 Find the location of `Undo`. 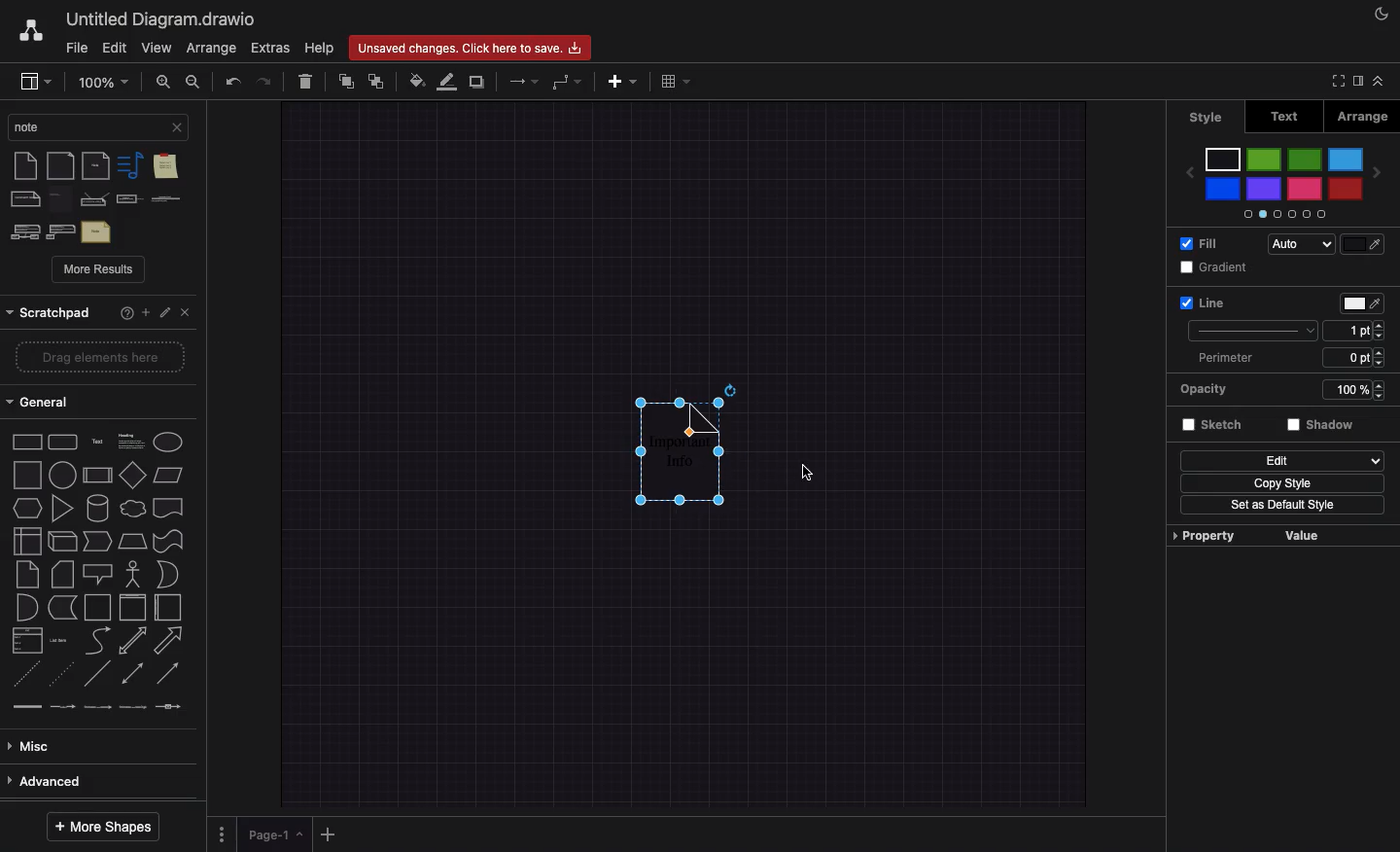

Undo is located at coordinates (233, 80).